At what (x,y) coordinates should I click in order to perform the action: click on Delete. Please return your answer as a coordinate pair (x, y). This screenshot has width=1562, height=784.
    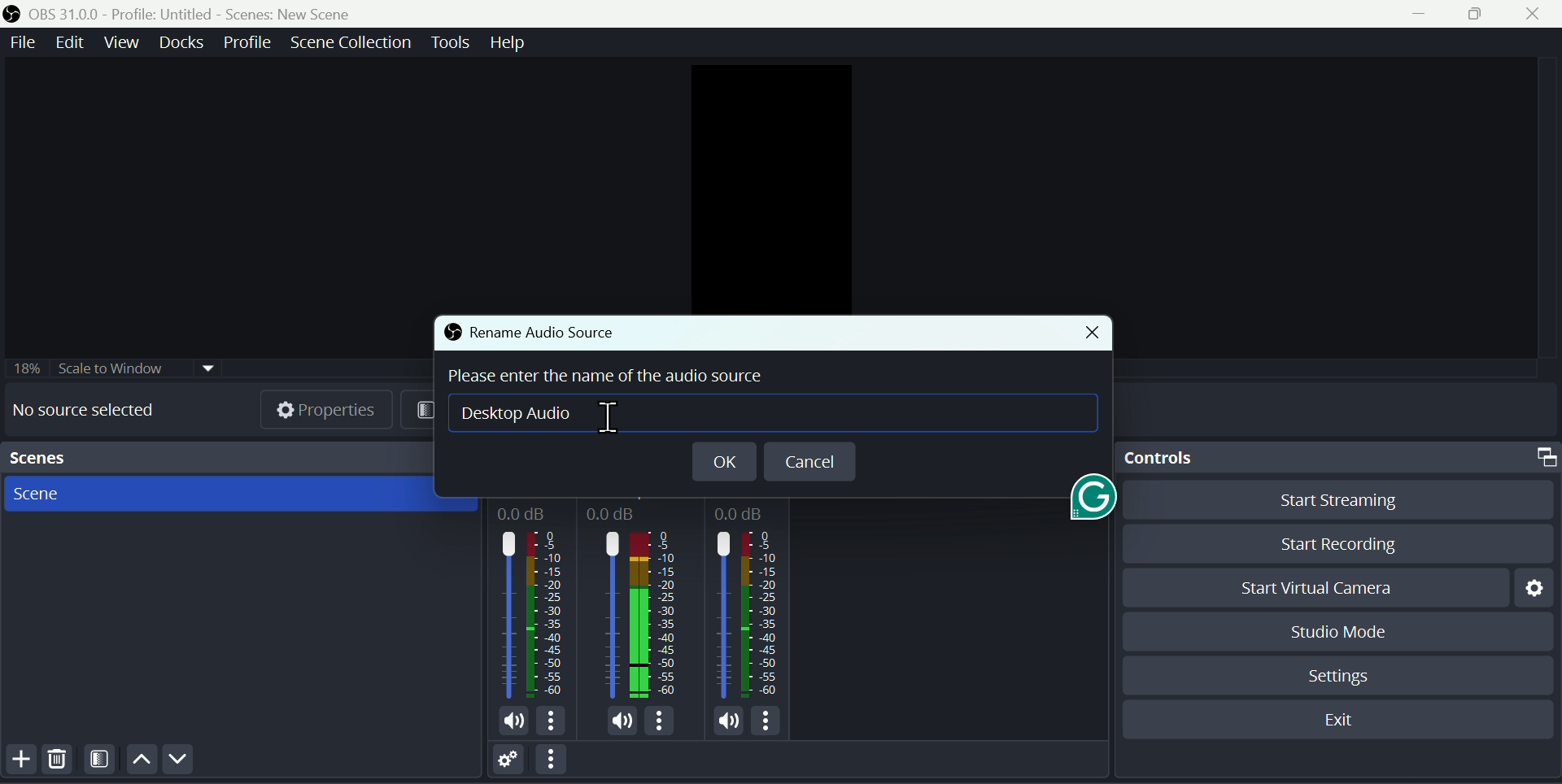
    Looking at the image, I should click on (59, 761).